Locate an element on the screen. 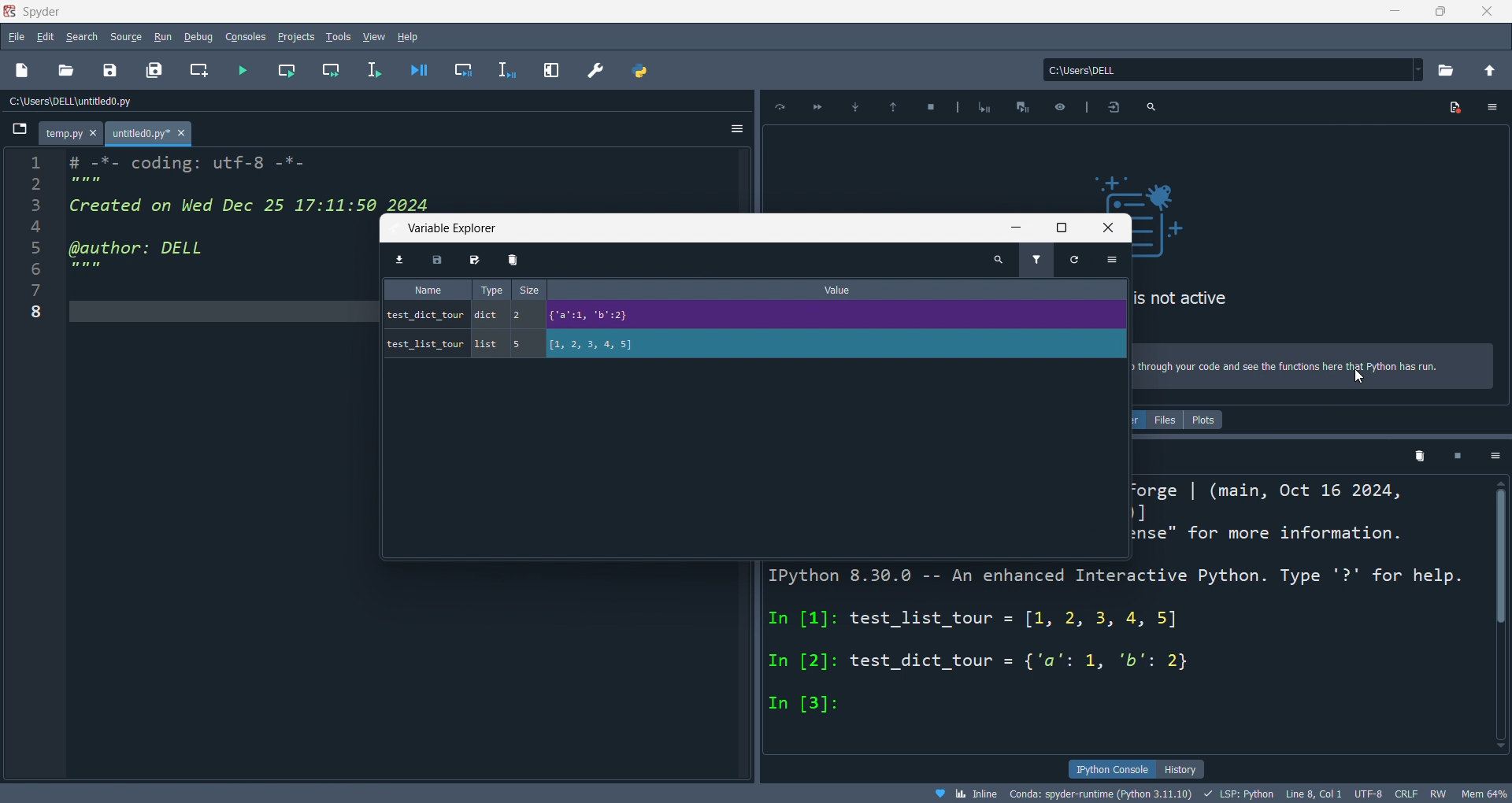  icon is located at coordinates (1494, 107).